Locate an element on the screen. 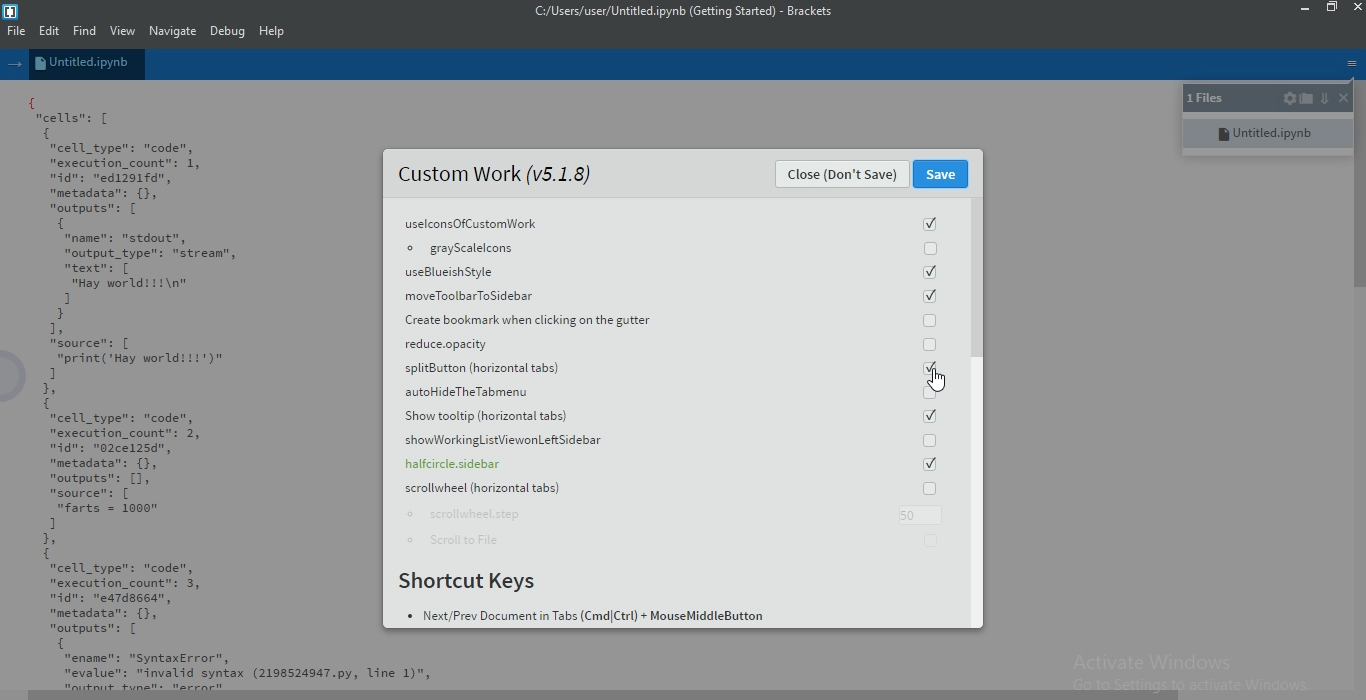  Navigate is located at coordinates (172, 32).